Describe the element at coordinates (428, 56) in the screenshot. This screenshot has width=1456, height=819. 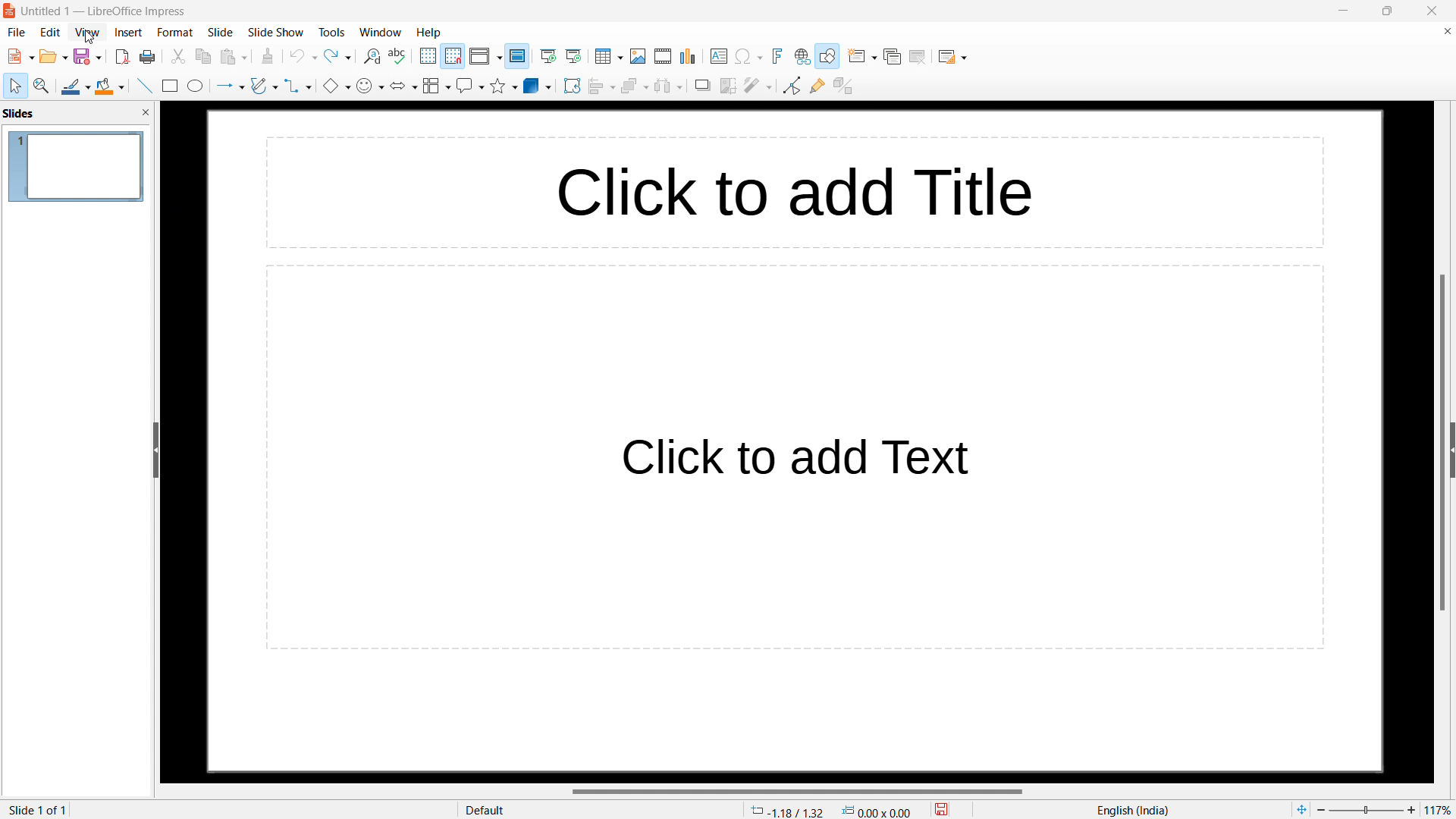
I see `display grid` at that location.